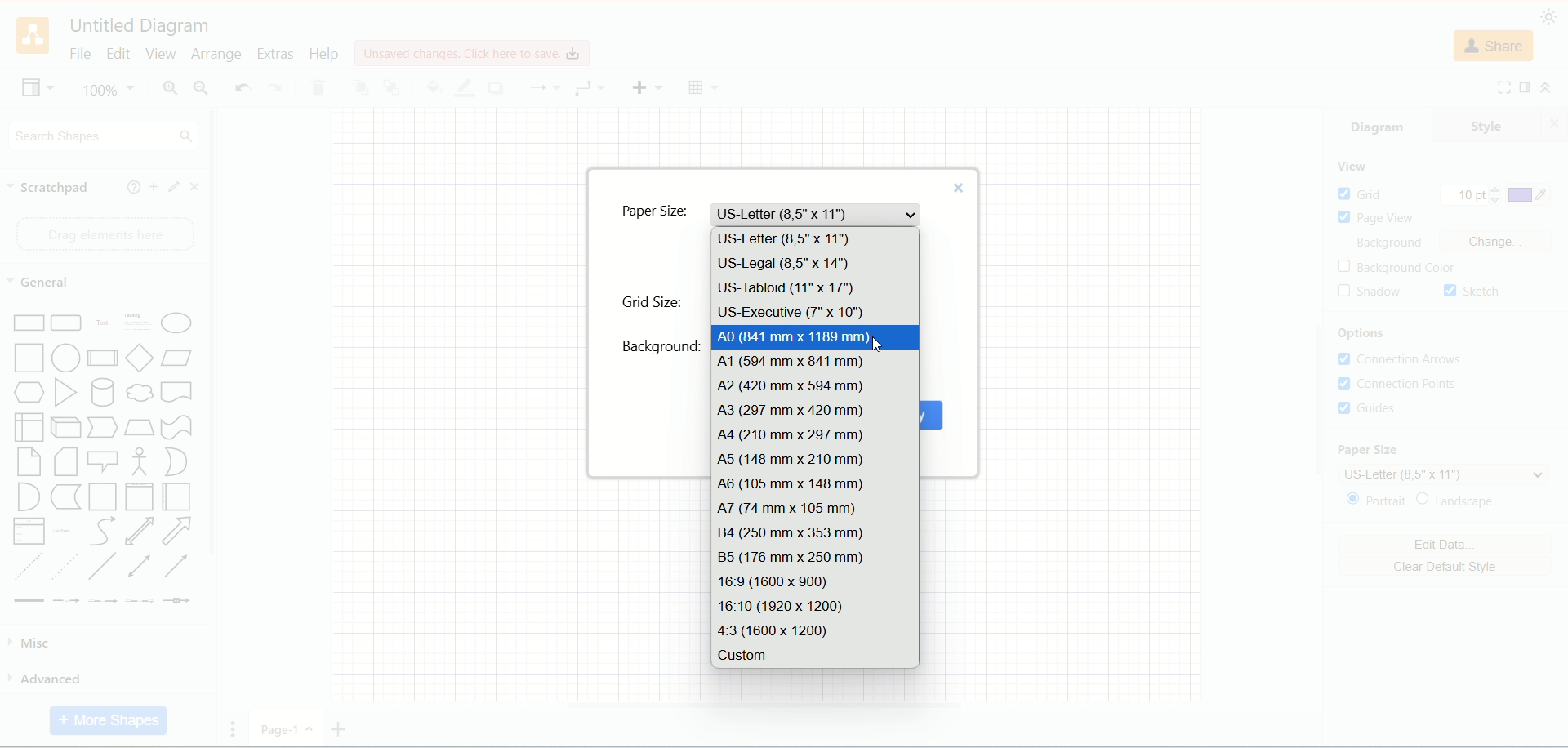 The width and height of the screenshot is (1568, 748). What do you see at coordinates (176, 394) in the screenshot?
I see `Document` at bounding box center [176, 394].